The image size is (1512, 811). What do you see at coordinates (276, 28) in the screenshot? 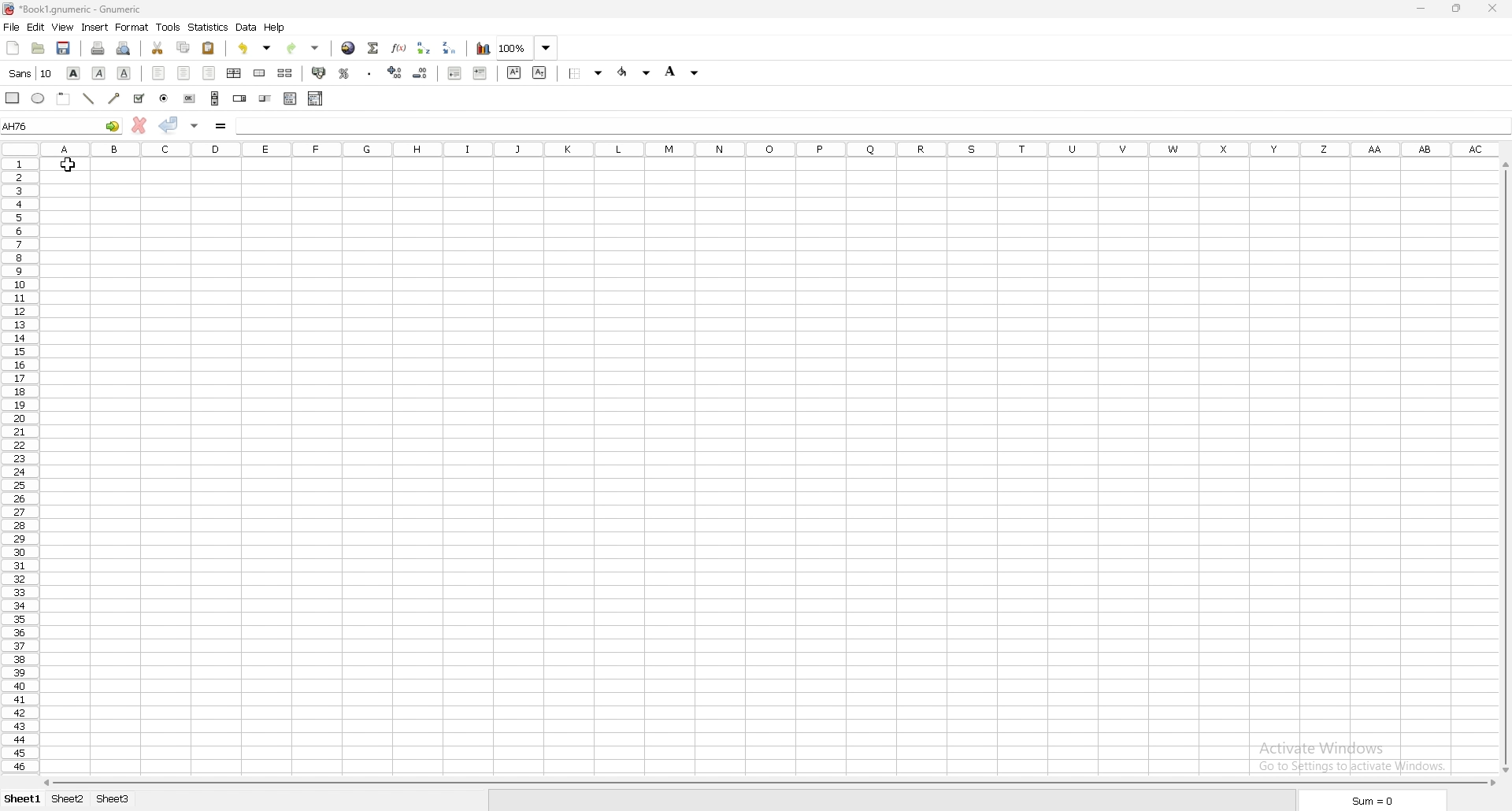
I see `help` at bounding box center [276, 28].